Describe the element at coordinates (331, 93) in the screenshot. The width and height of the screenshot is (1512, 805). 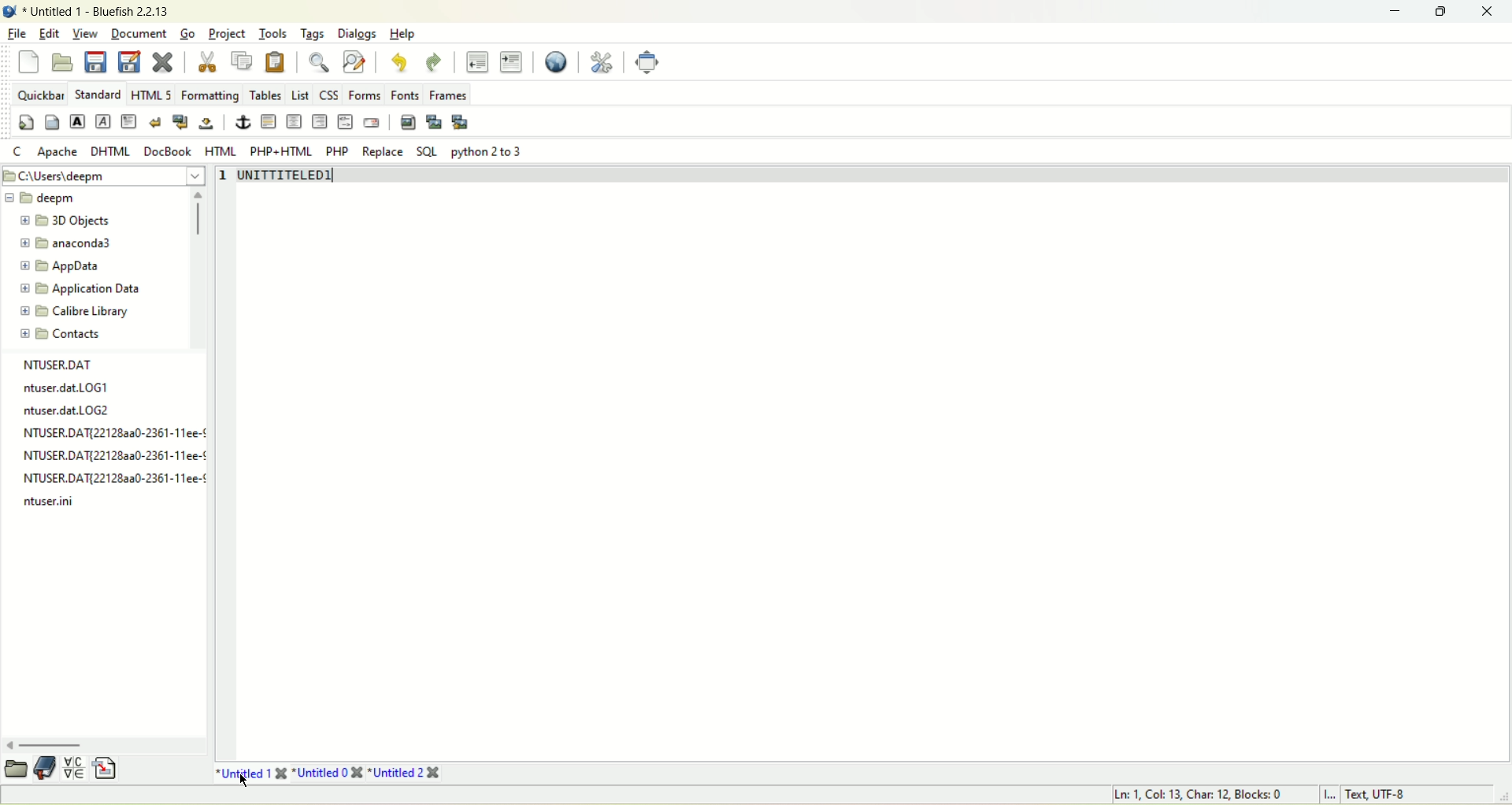
I see `CSS` at that location.